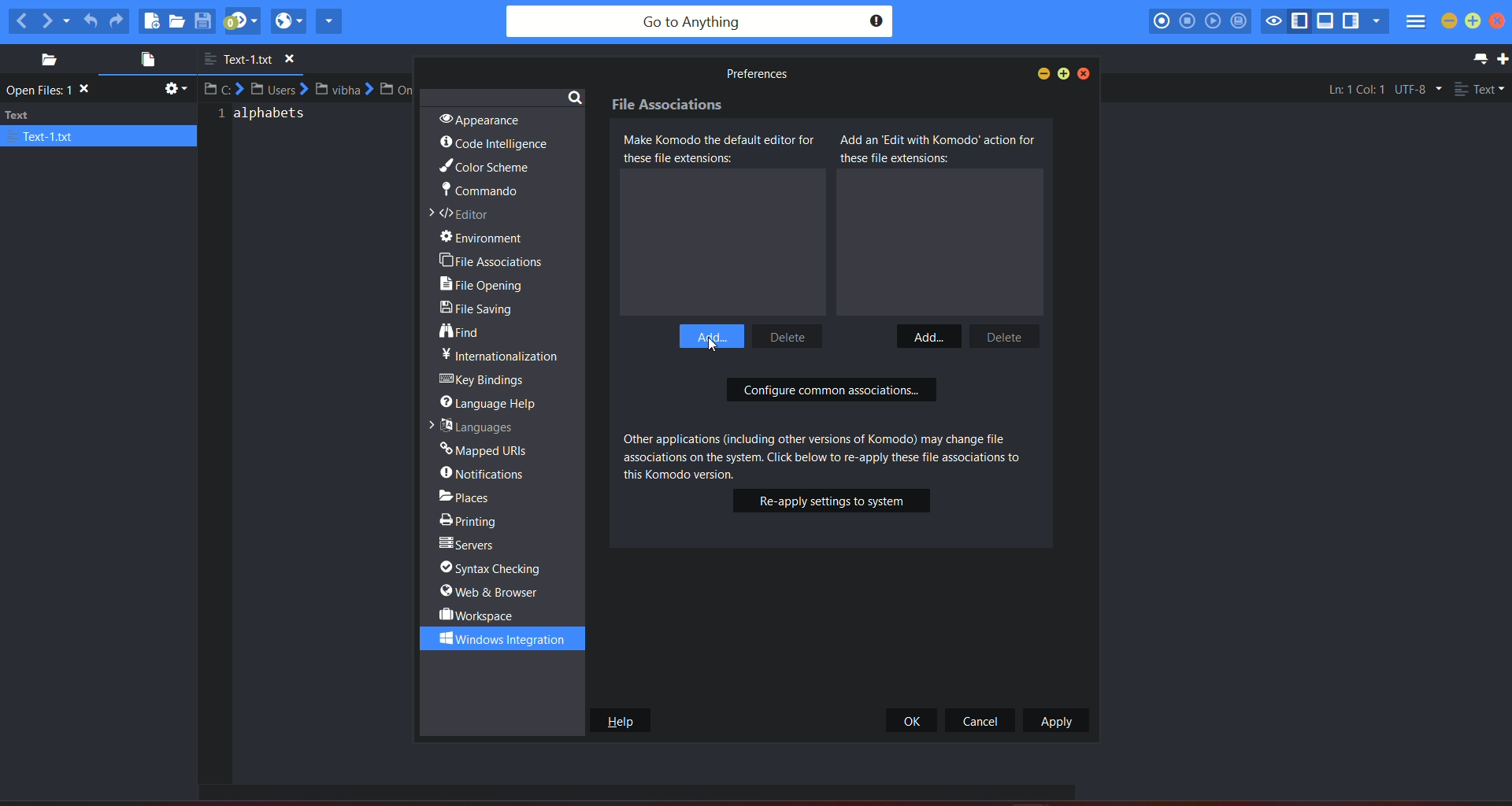  Describe the element at coordinates (492, 260) in the screenshot. I see `file associations` at that location.